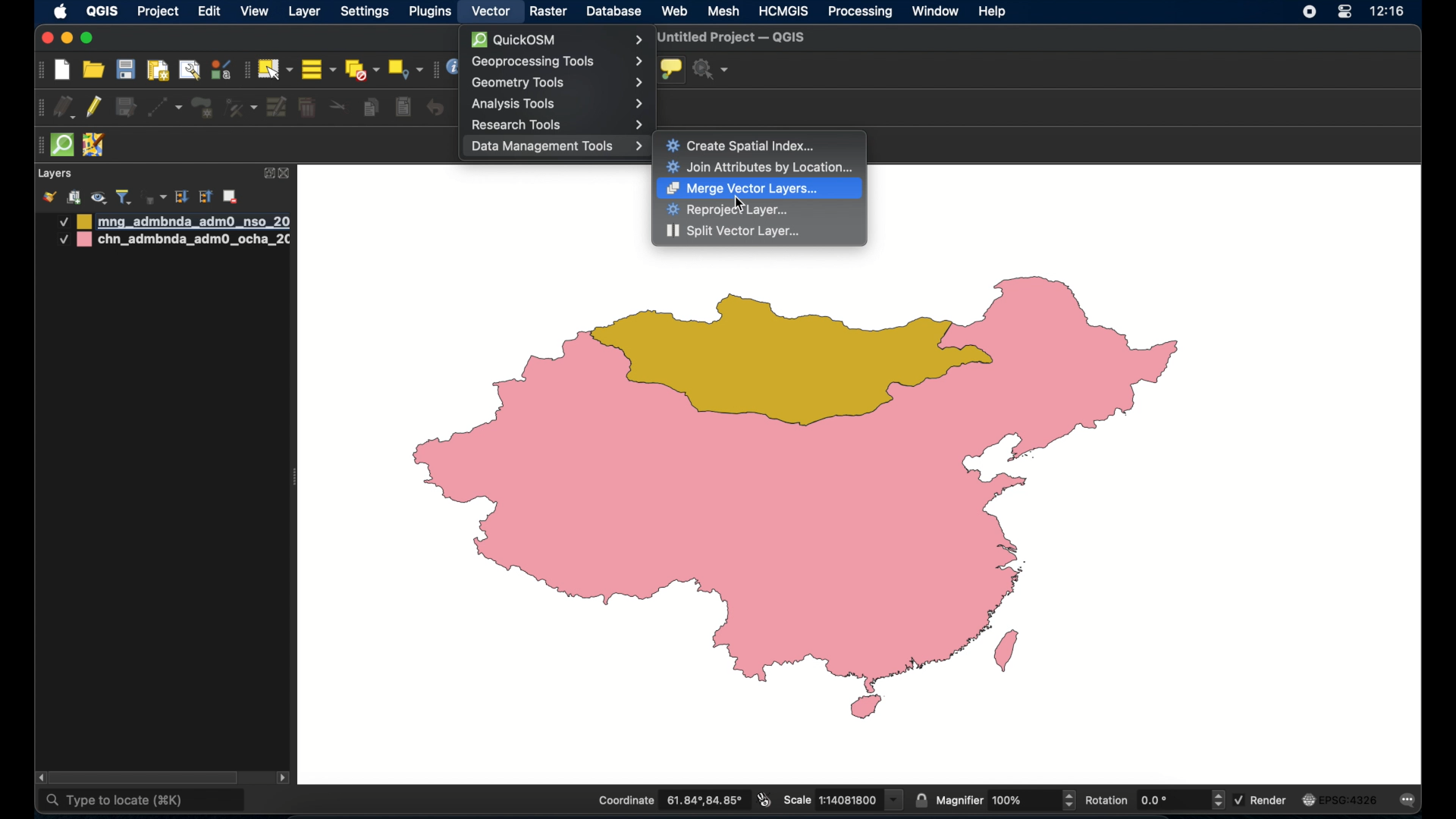 The image size is (1456, 819). What do you see at coordinates (38, 71) in the screenshot?
I see `project toolbar` at bounding box center [38, 71].